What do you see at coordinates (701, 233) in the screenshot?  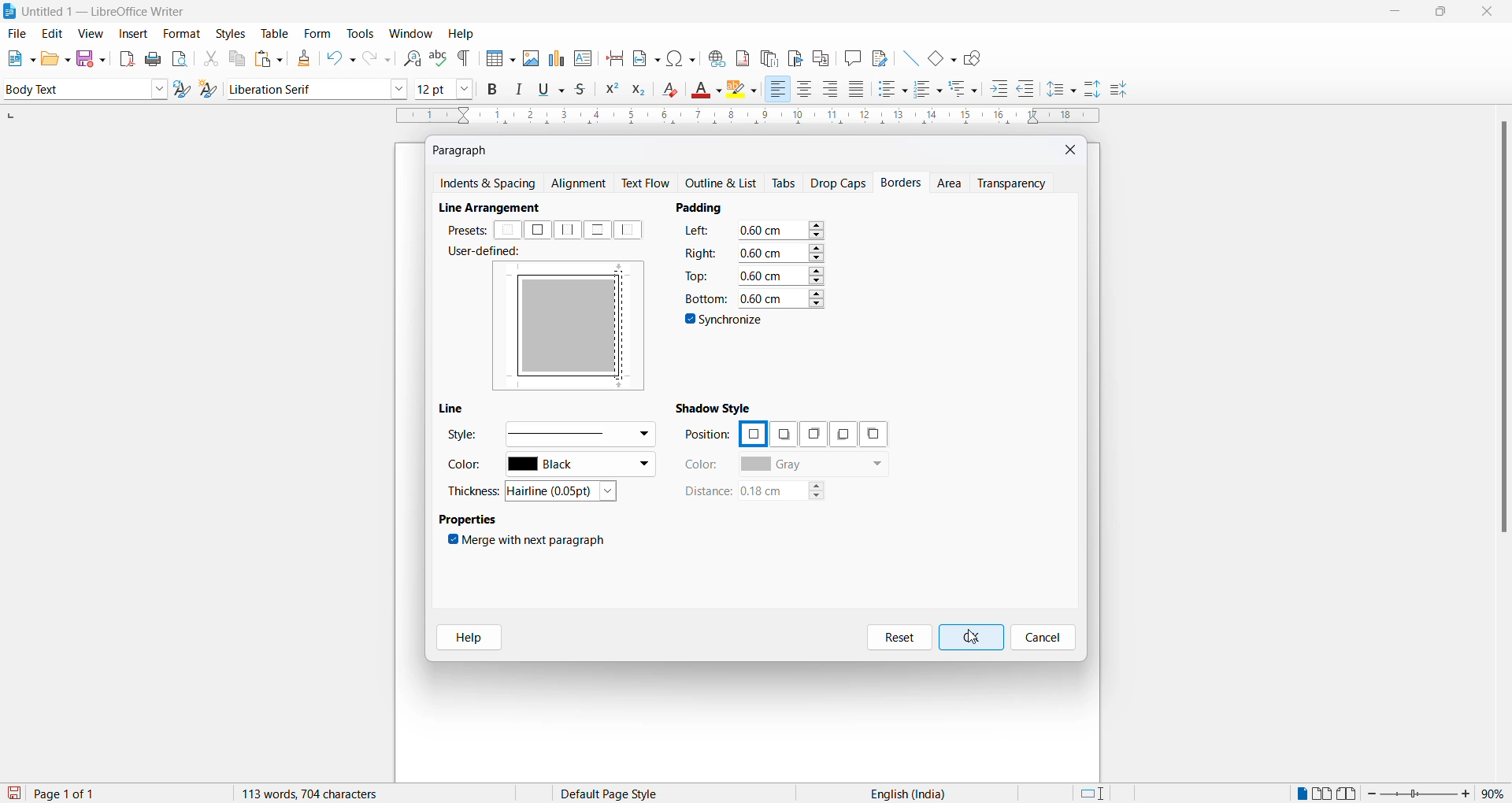 I see `sides` at bounding box center [701, 233].